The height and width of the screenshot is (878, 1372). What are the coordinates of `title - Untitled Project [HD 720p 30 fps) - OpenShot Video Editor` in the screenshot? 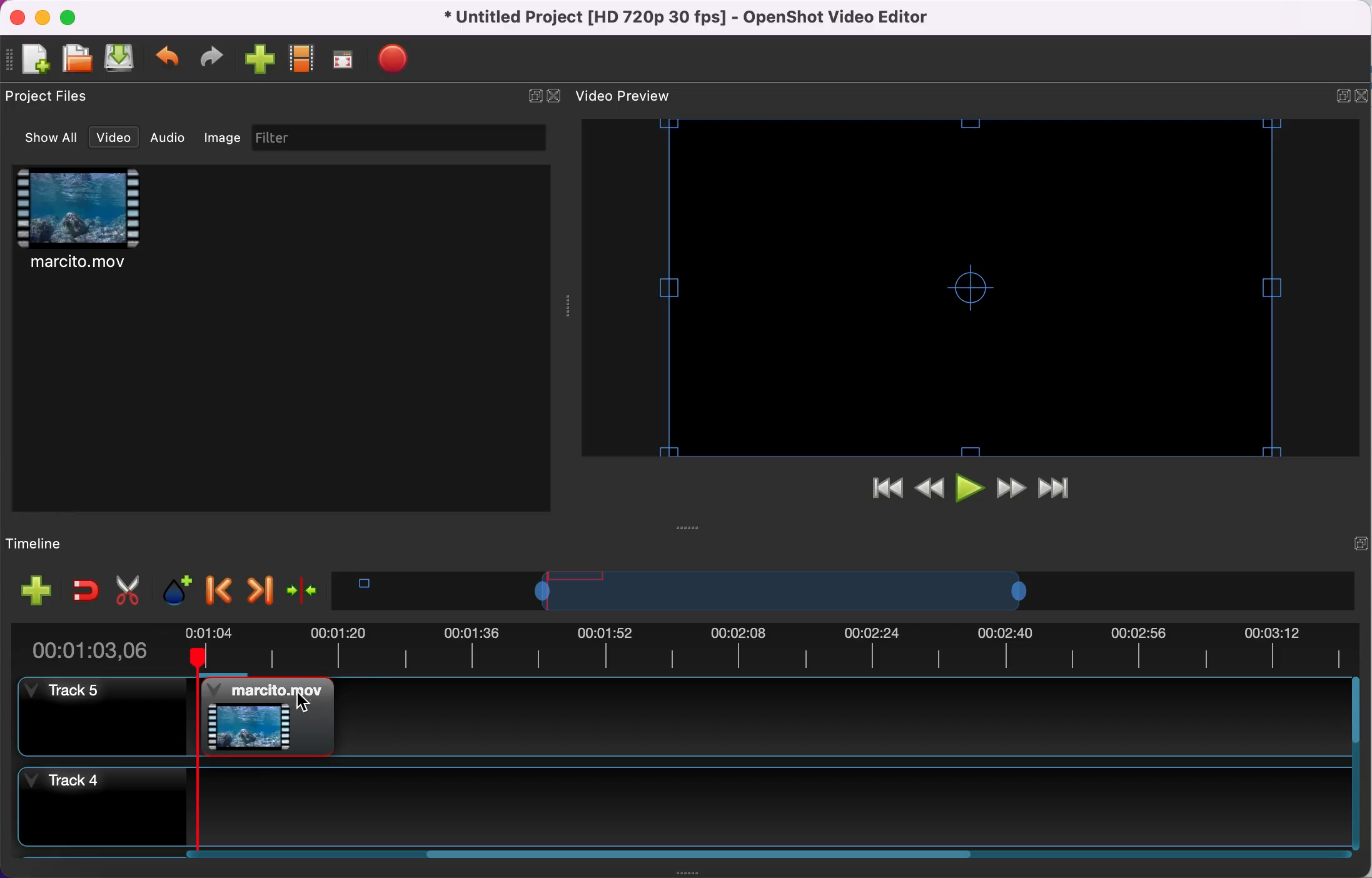 It's located at (692, 18).